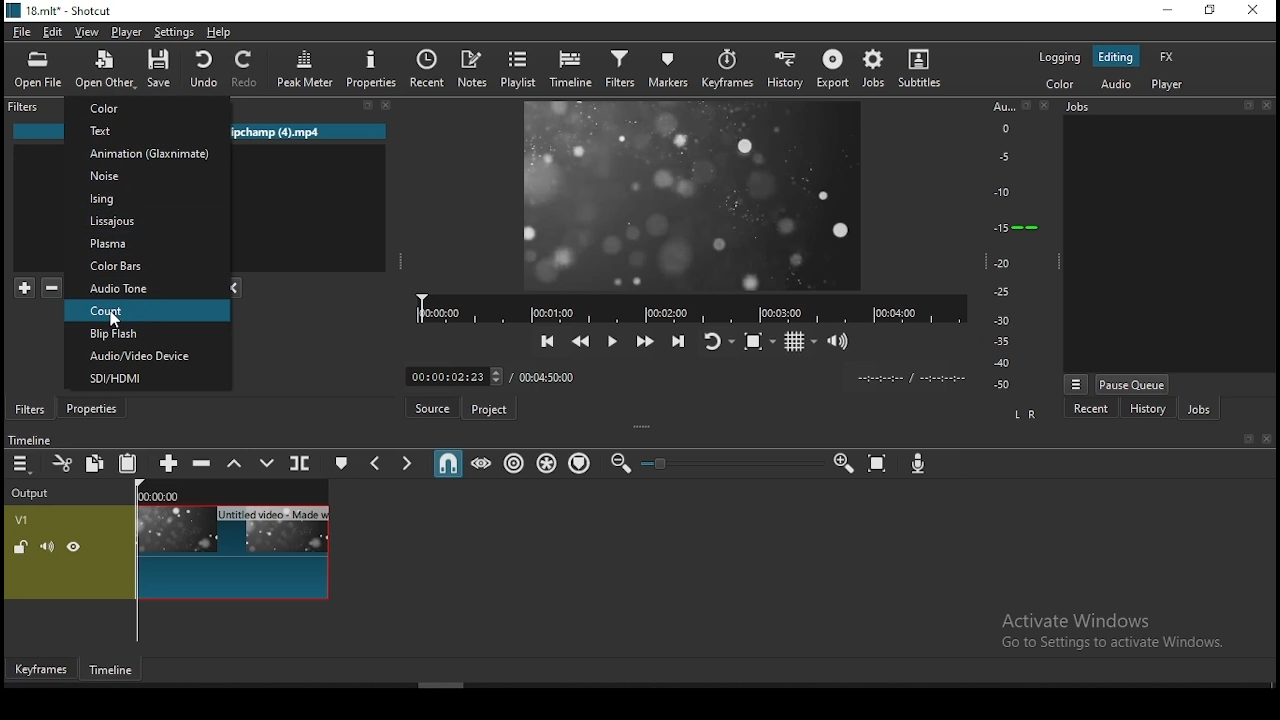 The width and height of the screenshot is (1280, 720). What do you see at coordinates (203, 69) in the screenshot?
I see `undo` at bounding box center [203, 69].